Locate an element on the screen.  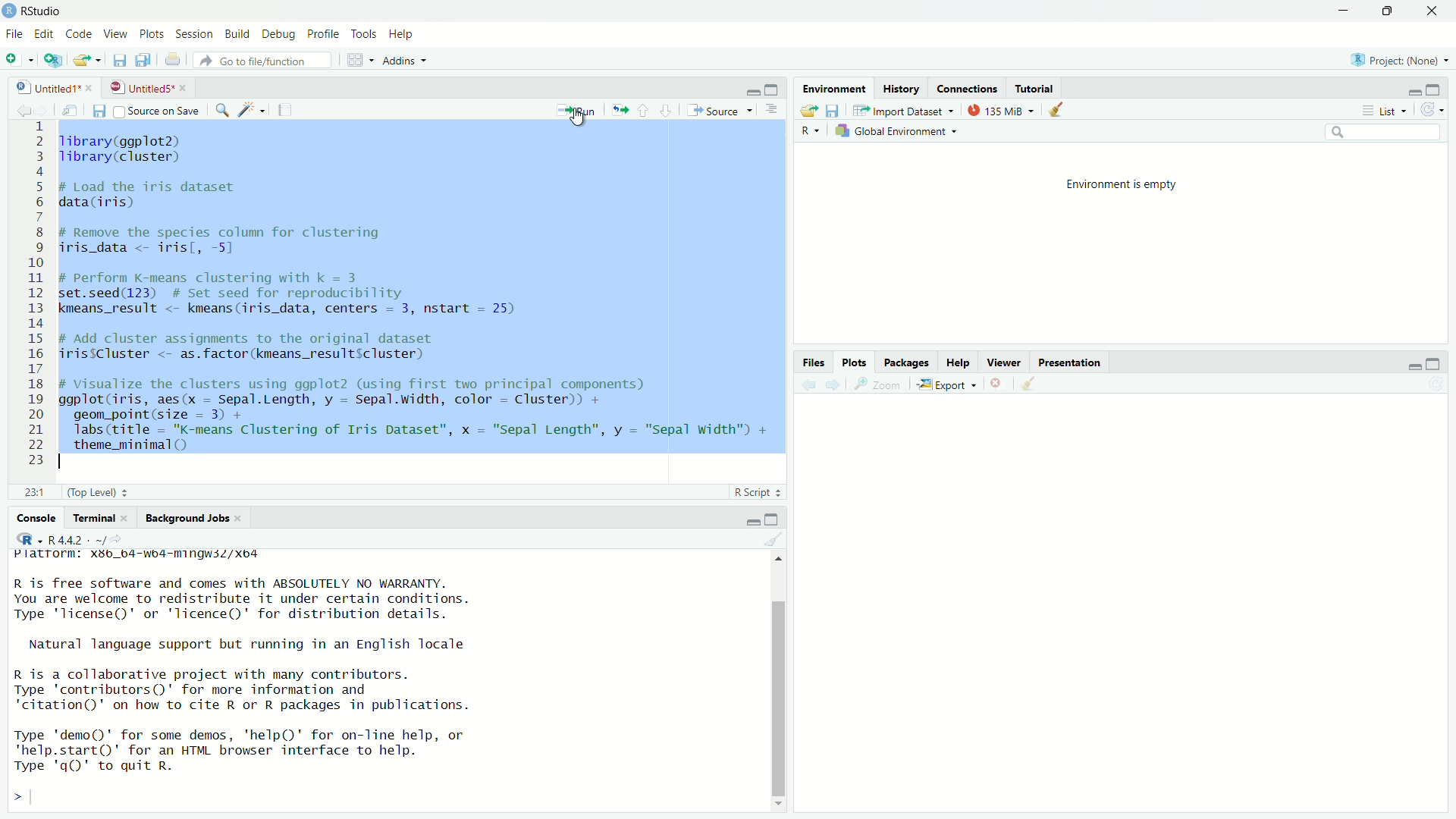
Type 'demo()' for some demos, 'help()' for on-Tine help, or
"help.start()' for an HTML browser interface to help.
Type 'q()' to quit R. is located at coordinates (297, 752).